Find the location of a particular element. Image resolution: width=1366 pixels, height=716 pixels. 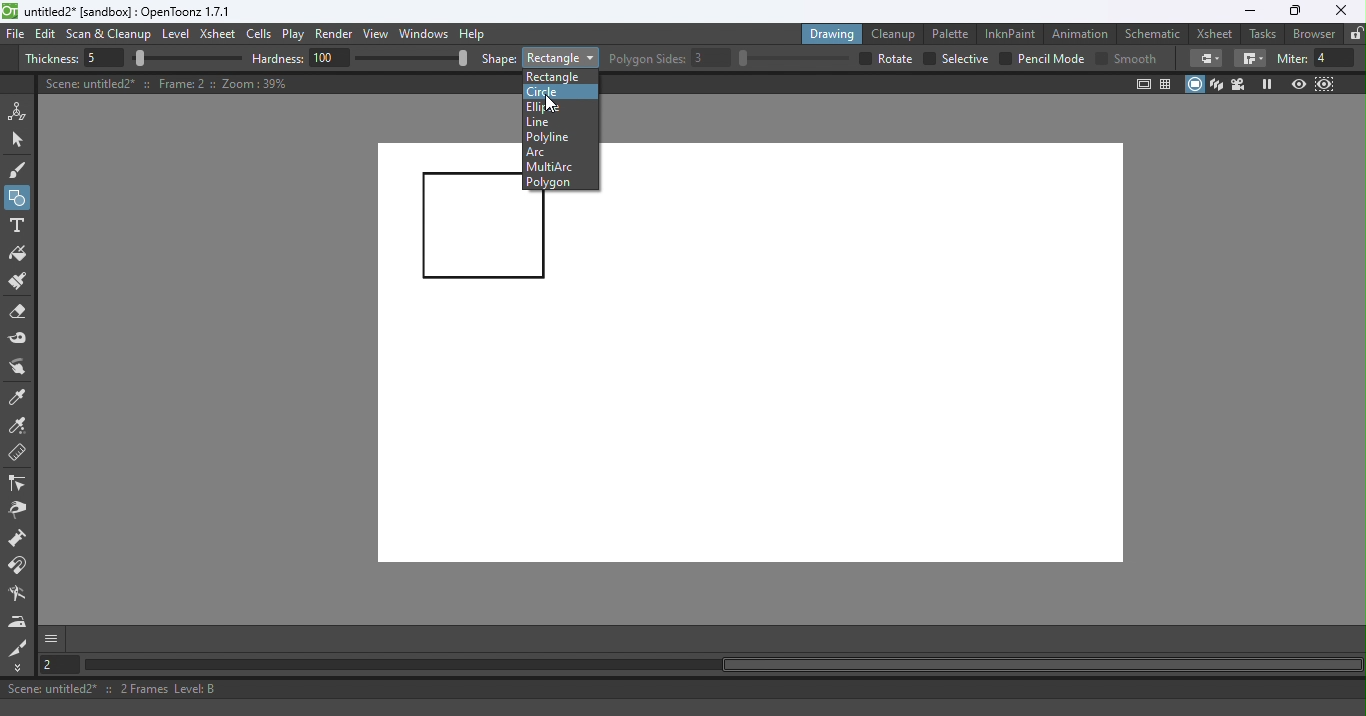

4 is located at coordinates (1335, 58).